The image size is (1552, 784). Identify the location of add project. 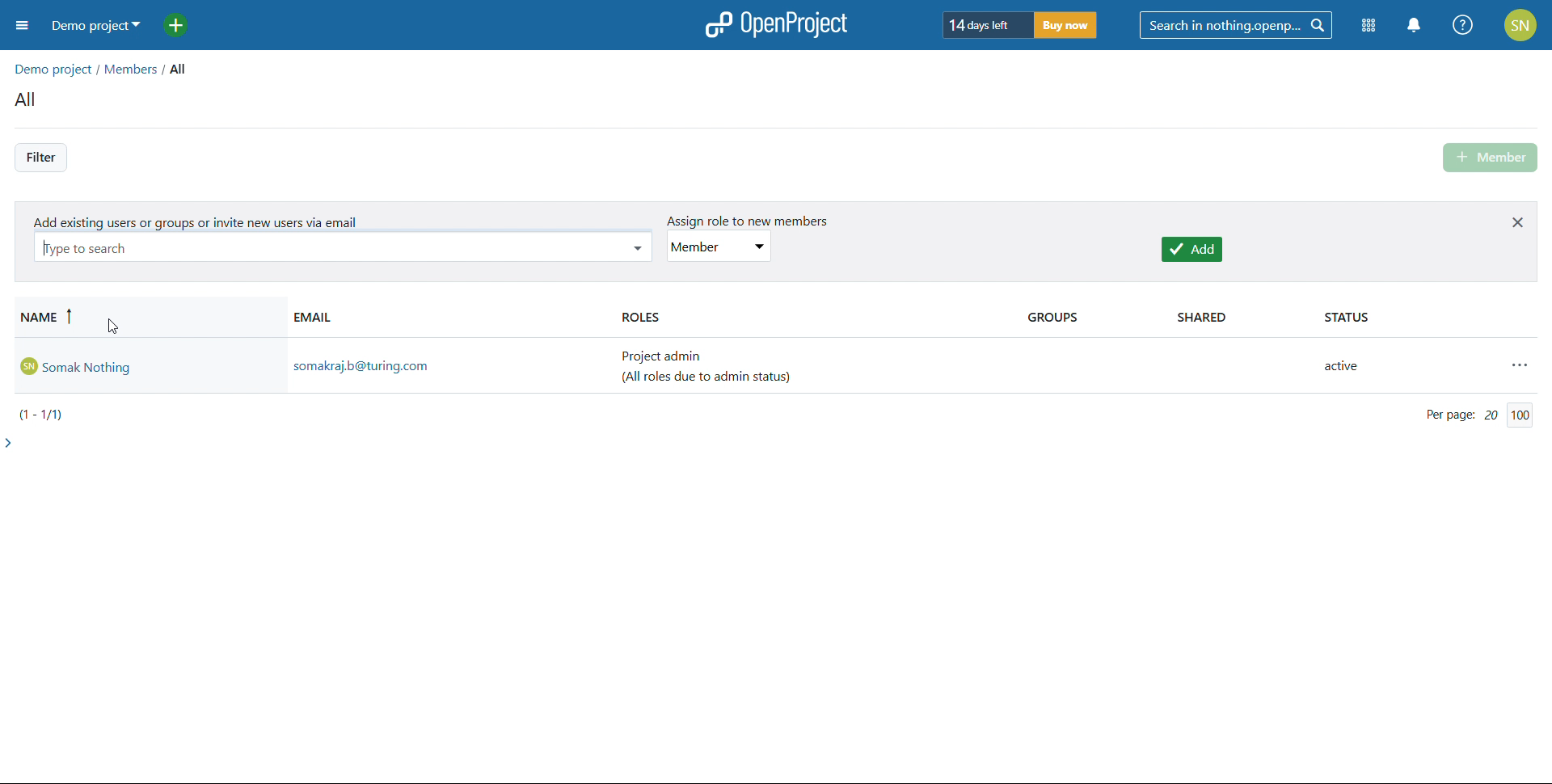
(185, 26).